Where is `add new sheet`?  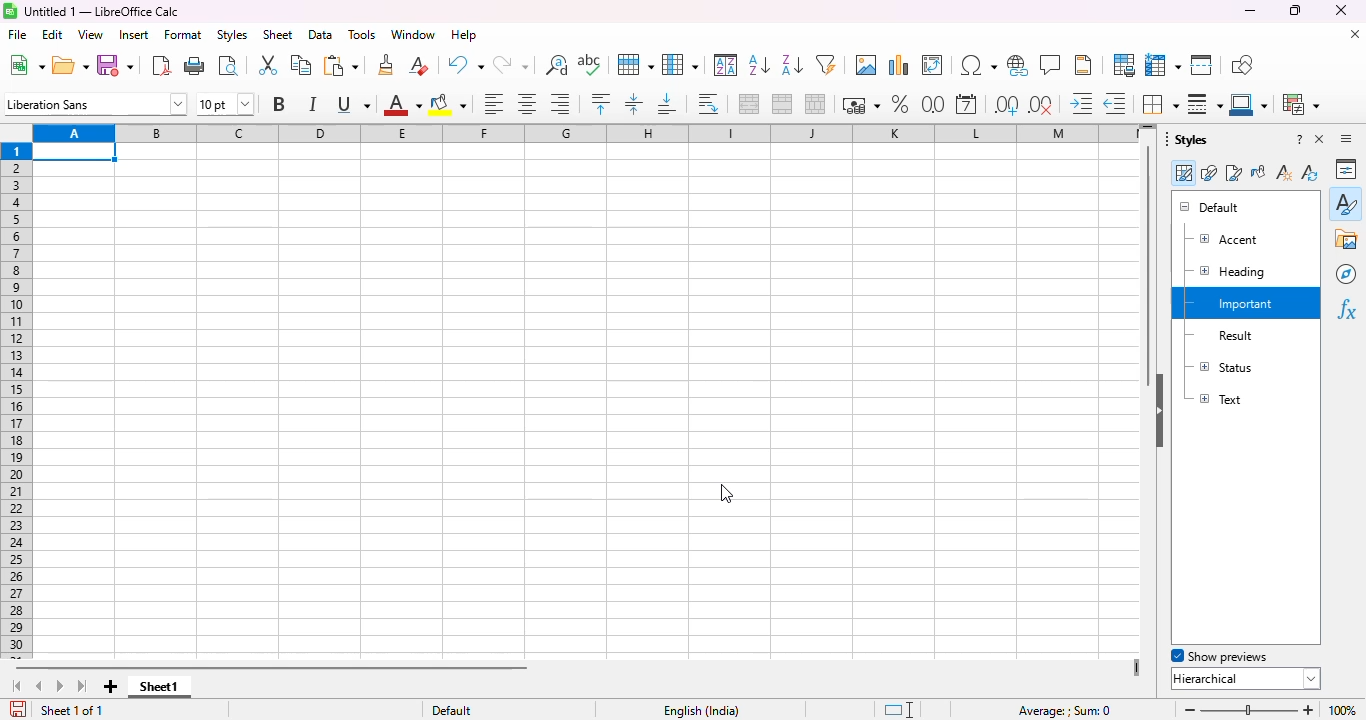
add new sheet is located at coordinates (111, 687).